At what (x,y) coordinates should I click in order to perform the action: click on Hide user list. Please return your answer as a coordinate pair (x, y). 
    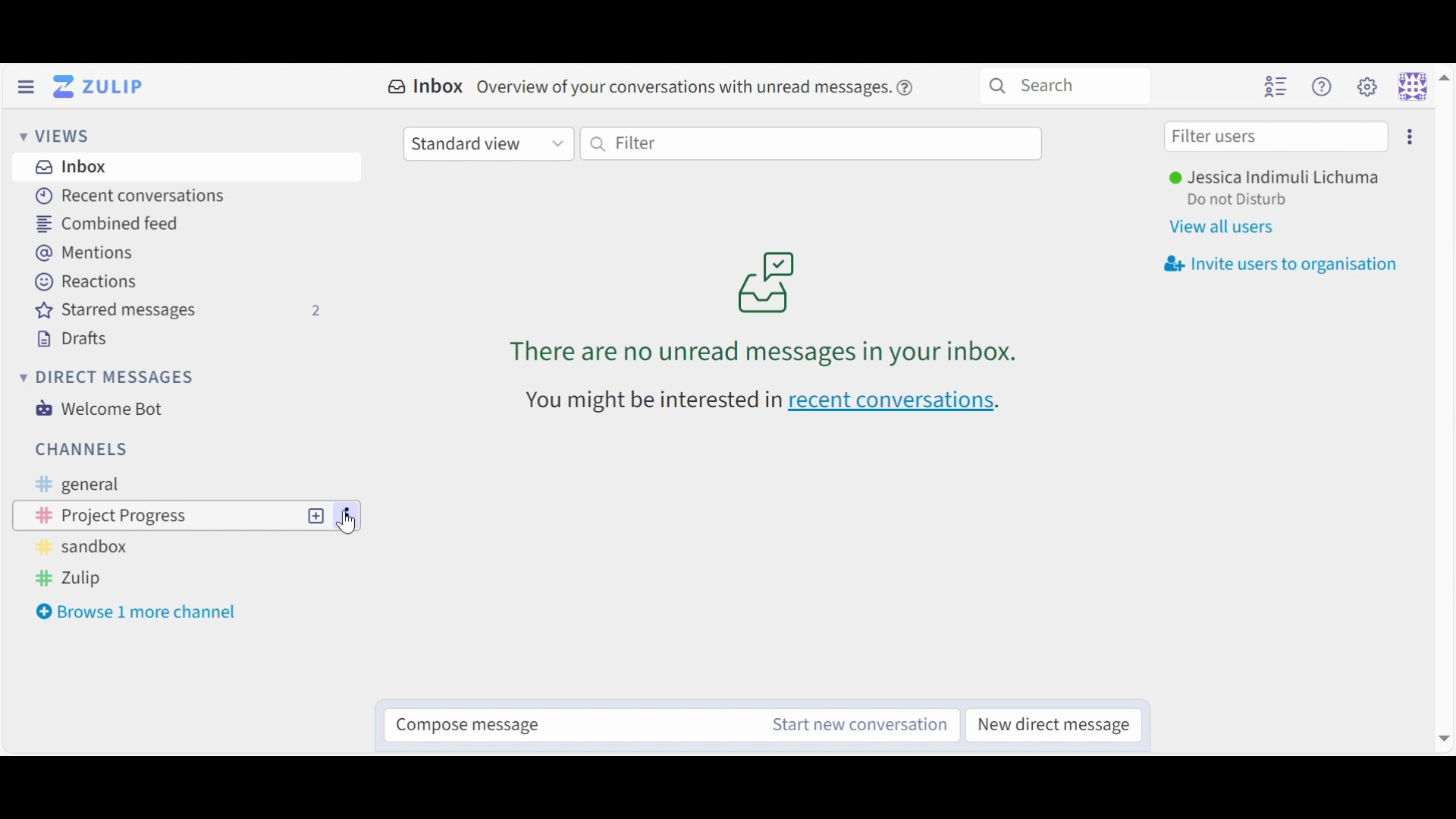
    Looking at the image, I should click on (1273, 88).